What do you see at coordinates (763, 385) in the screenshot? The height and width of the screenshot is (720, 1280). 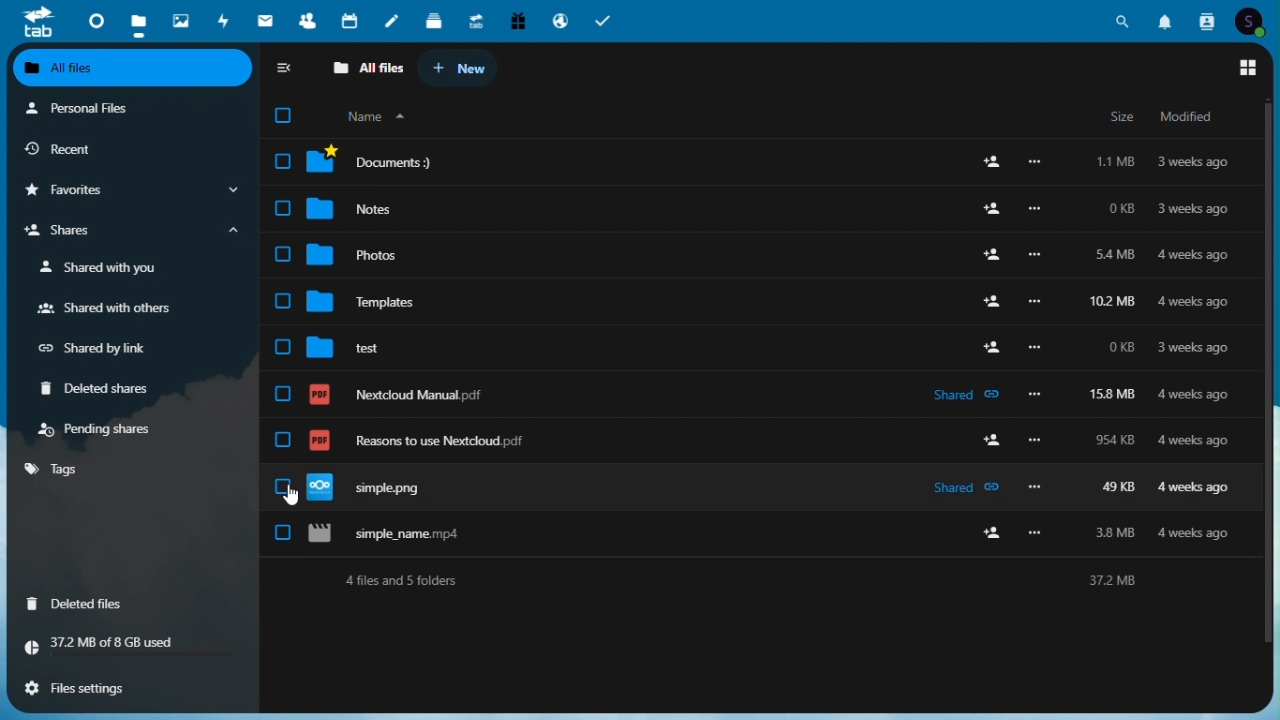 I see `NextcloudManual.pdf 158 MB 4 weeks ago` at bounding box center [763, 385].